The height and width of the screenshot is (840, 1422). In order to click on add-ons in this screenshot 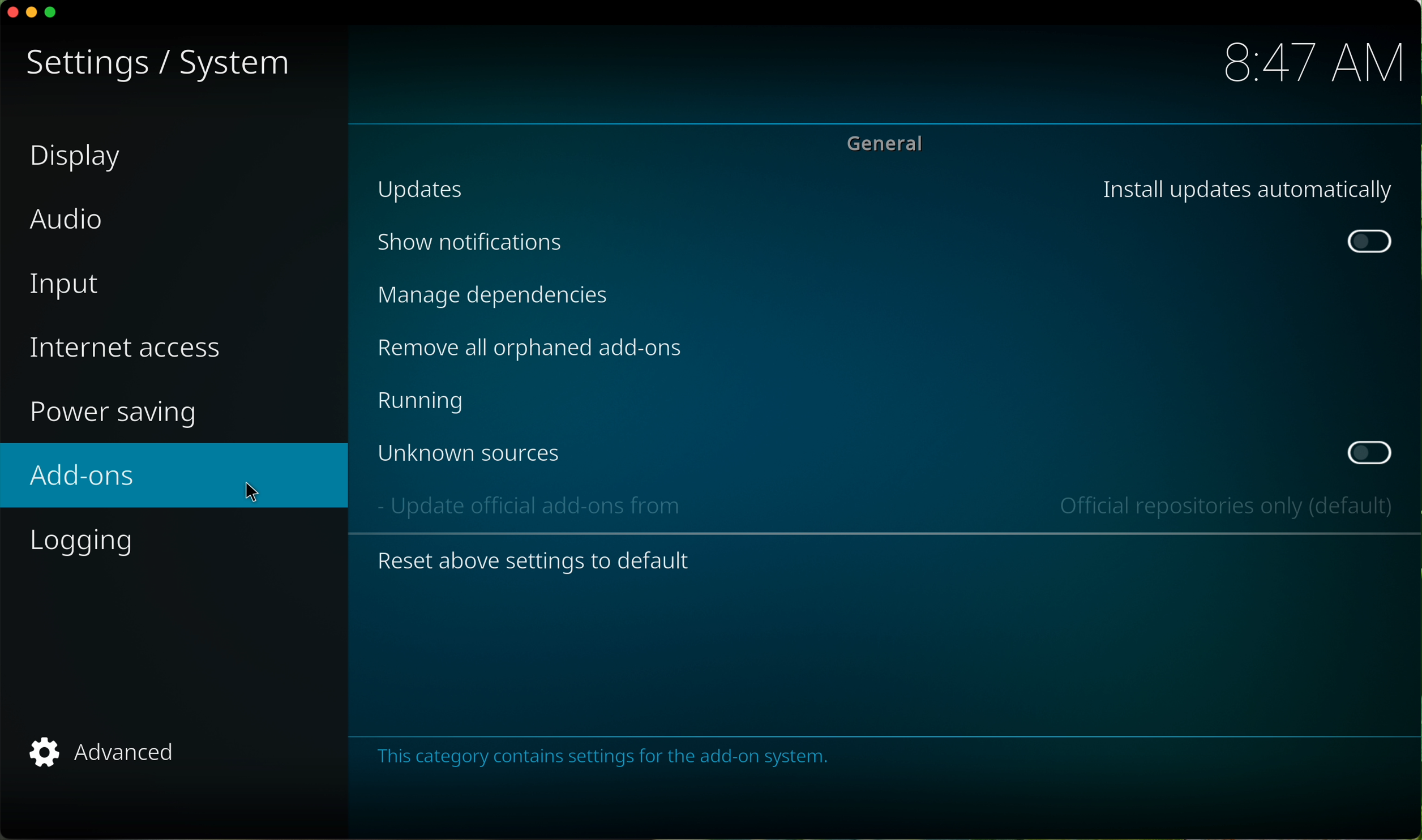, I will do `click(174, 474)`.